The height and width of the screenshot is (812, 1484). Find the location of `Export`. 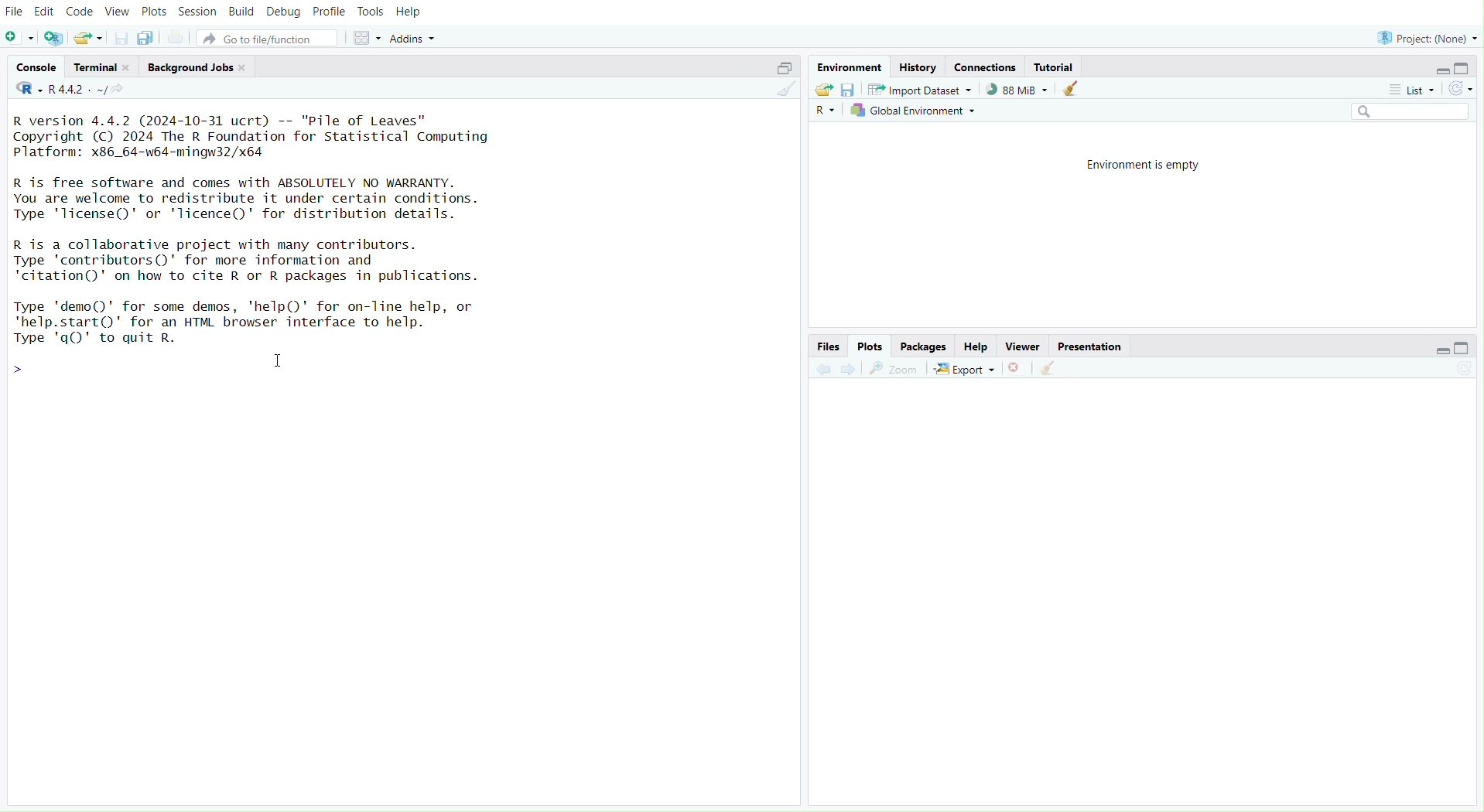

Export is located at coordinates (965, 368).